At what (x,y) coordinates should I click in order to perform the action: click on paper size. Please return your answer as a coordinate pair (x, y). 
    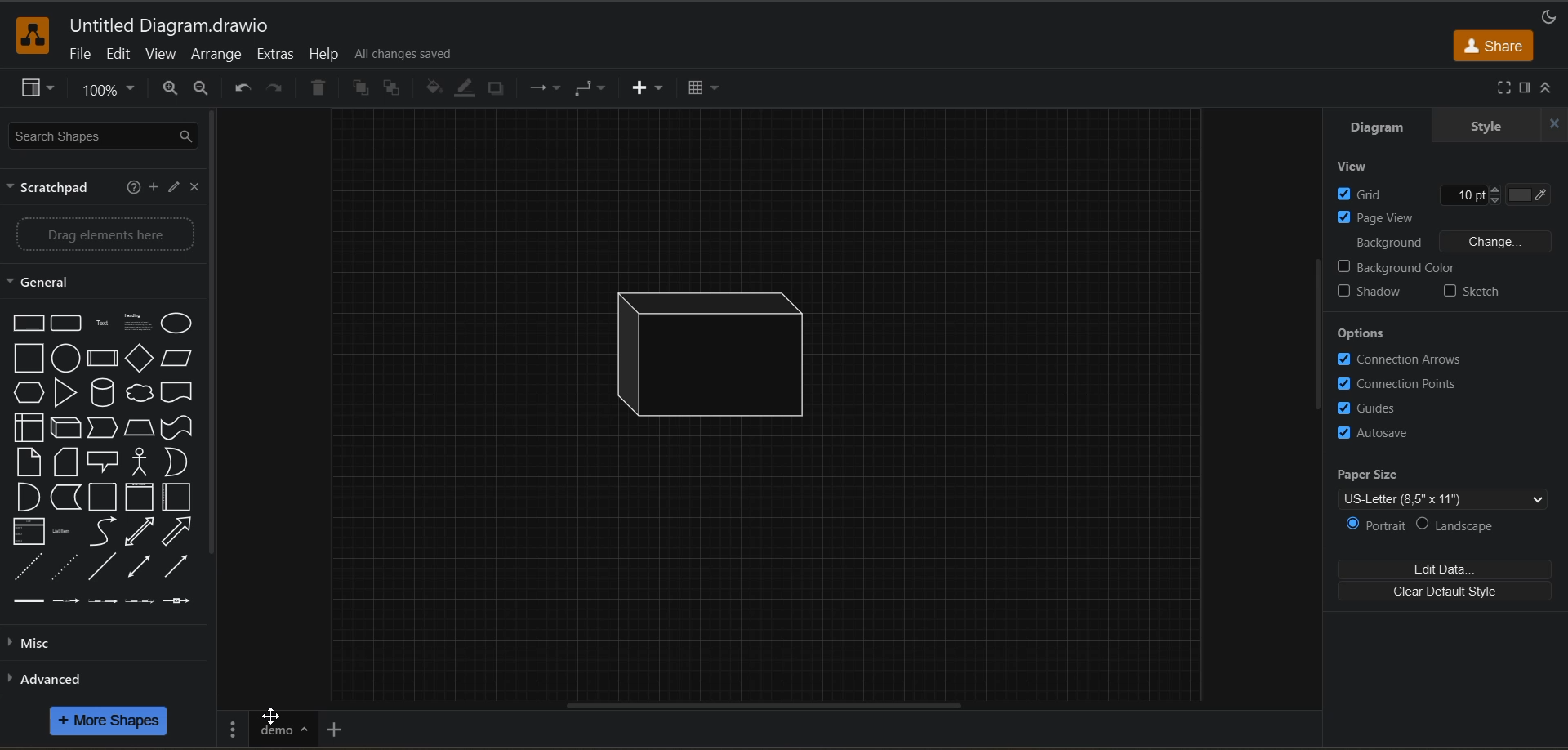
    Looking at the image, I should click on (1450, 486).